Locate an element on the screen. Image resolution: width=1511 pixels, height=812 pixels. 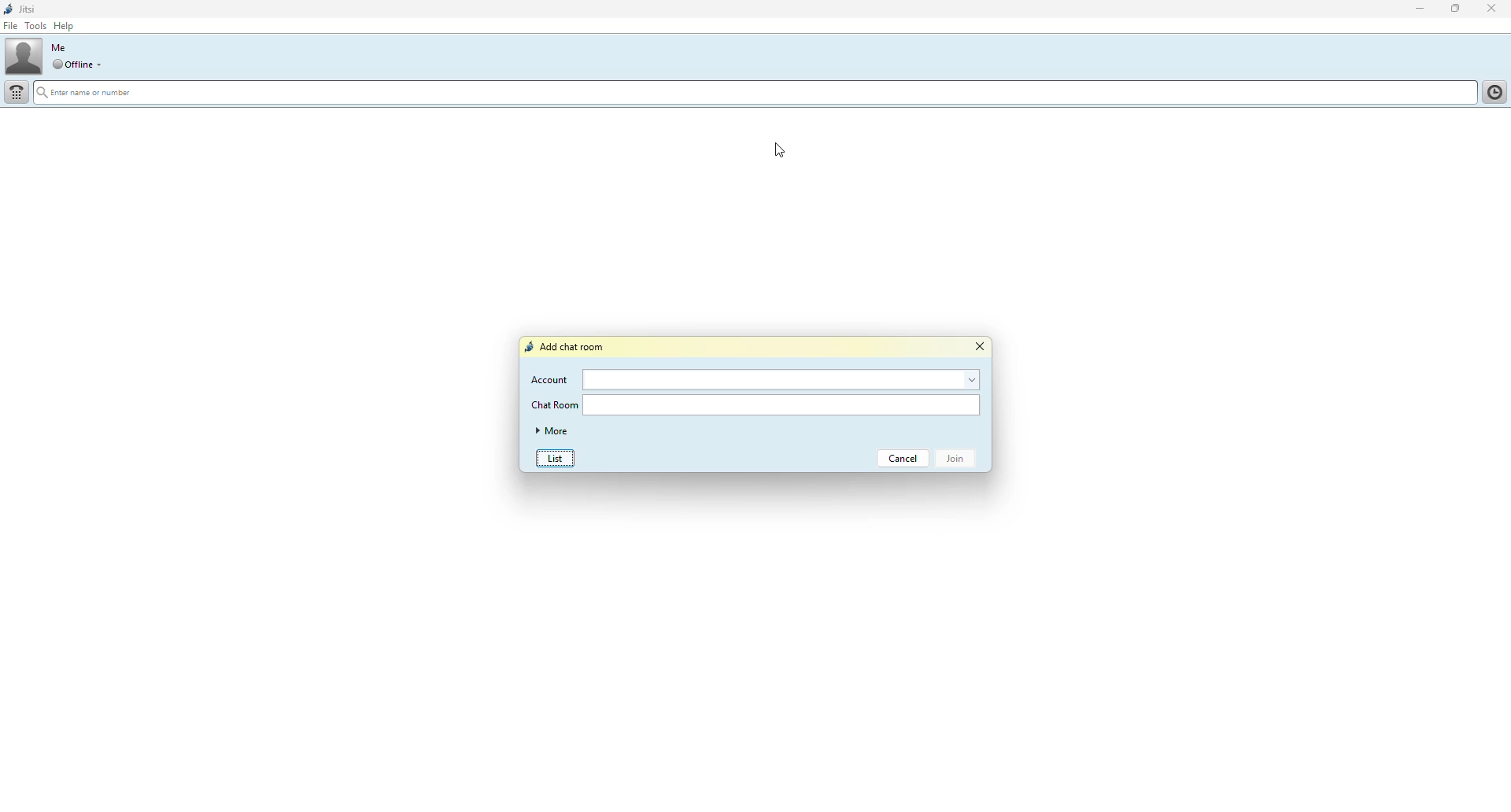
drop down is located at coordinates (103, 65).